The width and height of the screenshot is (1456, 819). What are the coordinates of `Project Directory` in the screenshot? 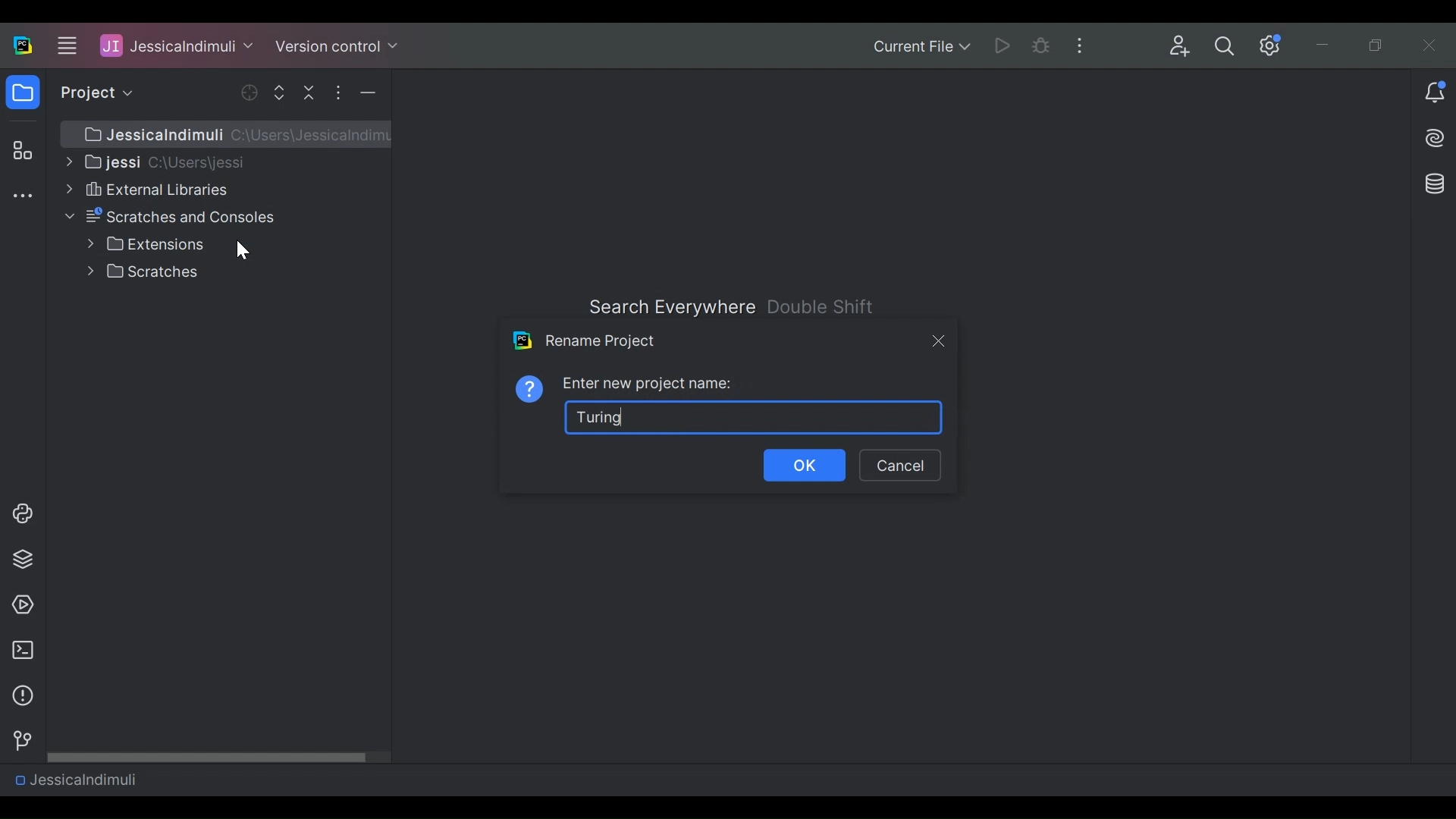 It's located at (154, 161).